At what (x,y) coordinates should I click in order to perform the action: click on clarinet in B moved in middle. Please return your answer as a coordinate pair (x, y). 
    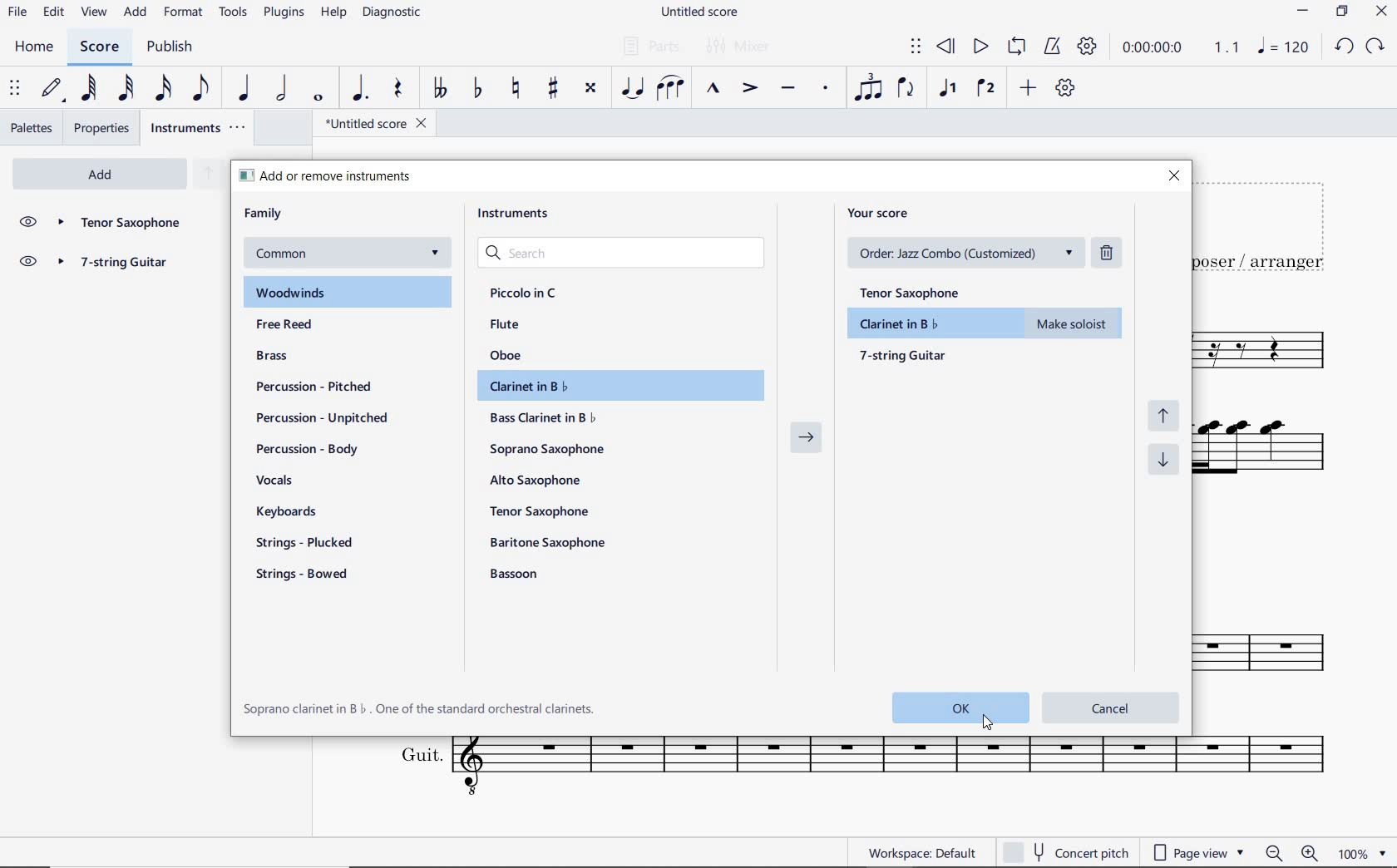
    Looking at the image, I should click on (986, 323).